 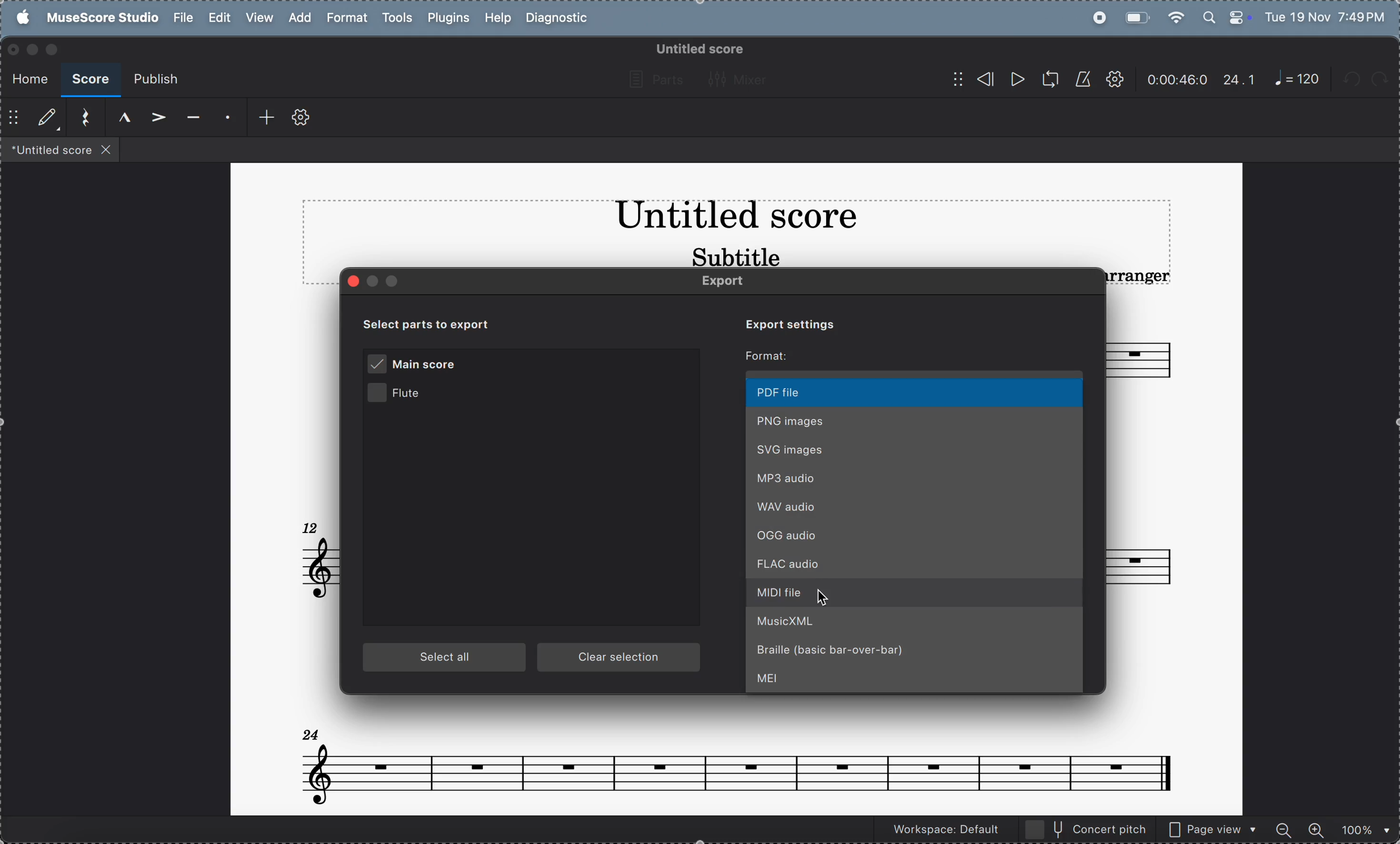 I want to click on cursor, so click(x=824, y=594).